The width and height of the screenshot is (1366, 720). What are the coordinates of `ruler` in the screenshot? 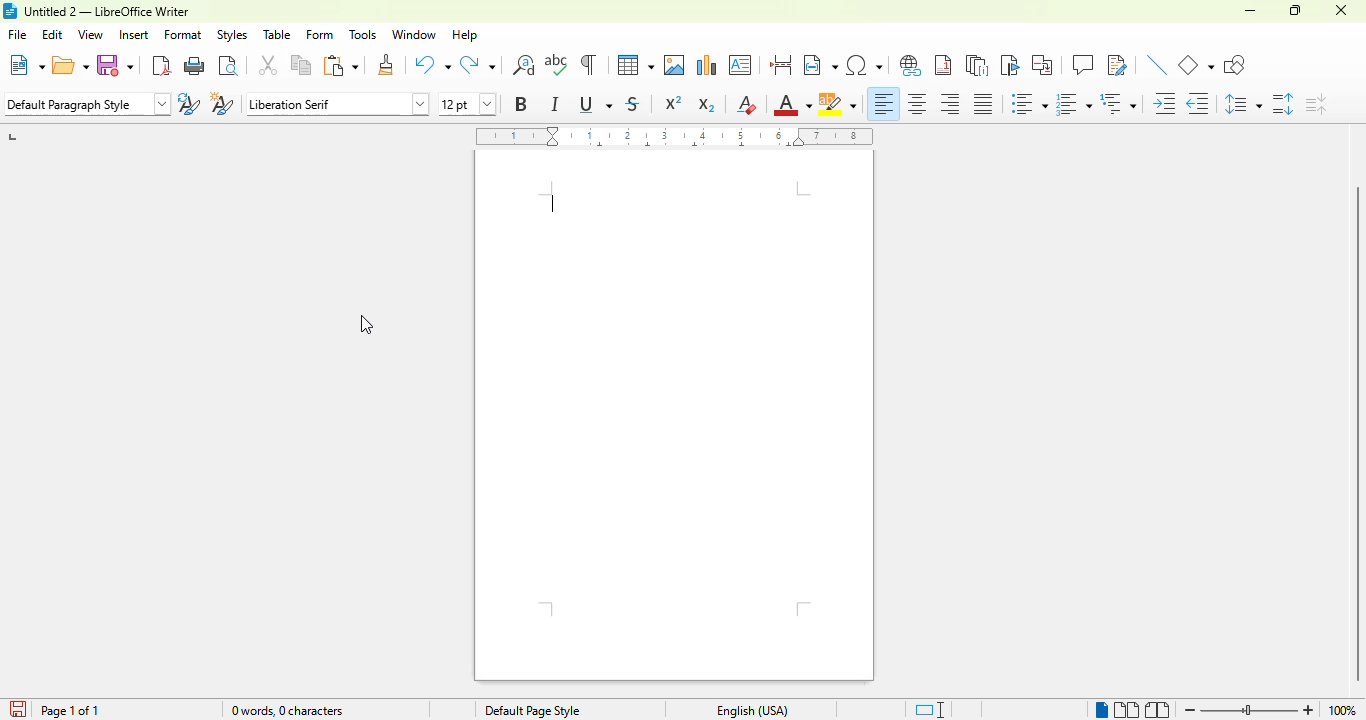 It's located at (676, 136).